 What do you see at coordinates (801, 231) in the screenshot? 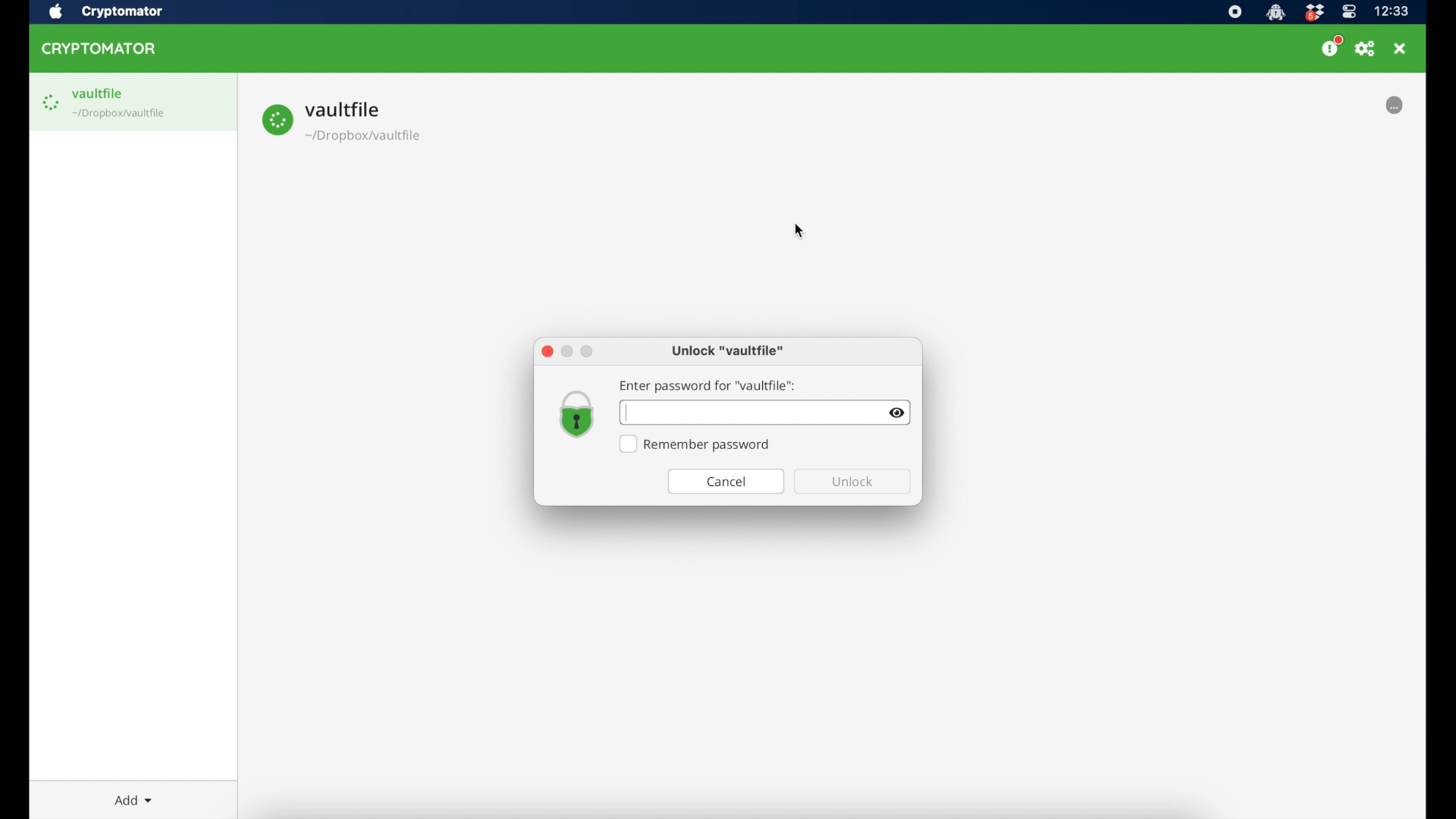
I see `cursor` at bounding box center [801, 231].